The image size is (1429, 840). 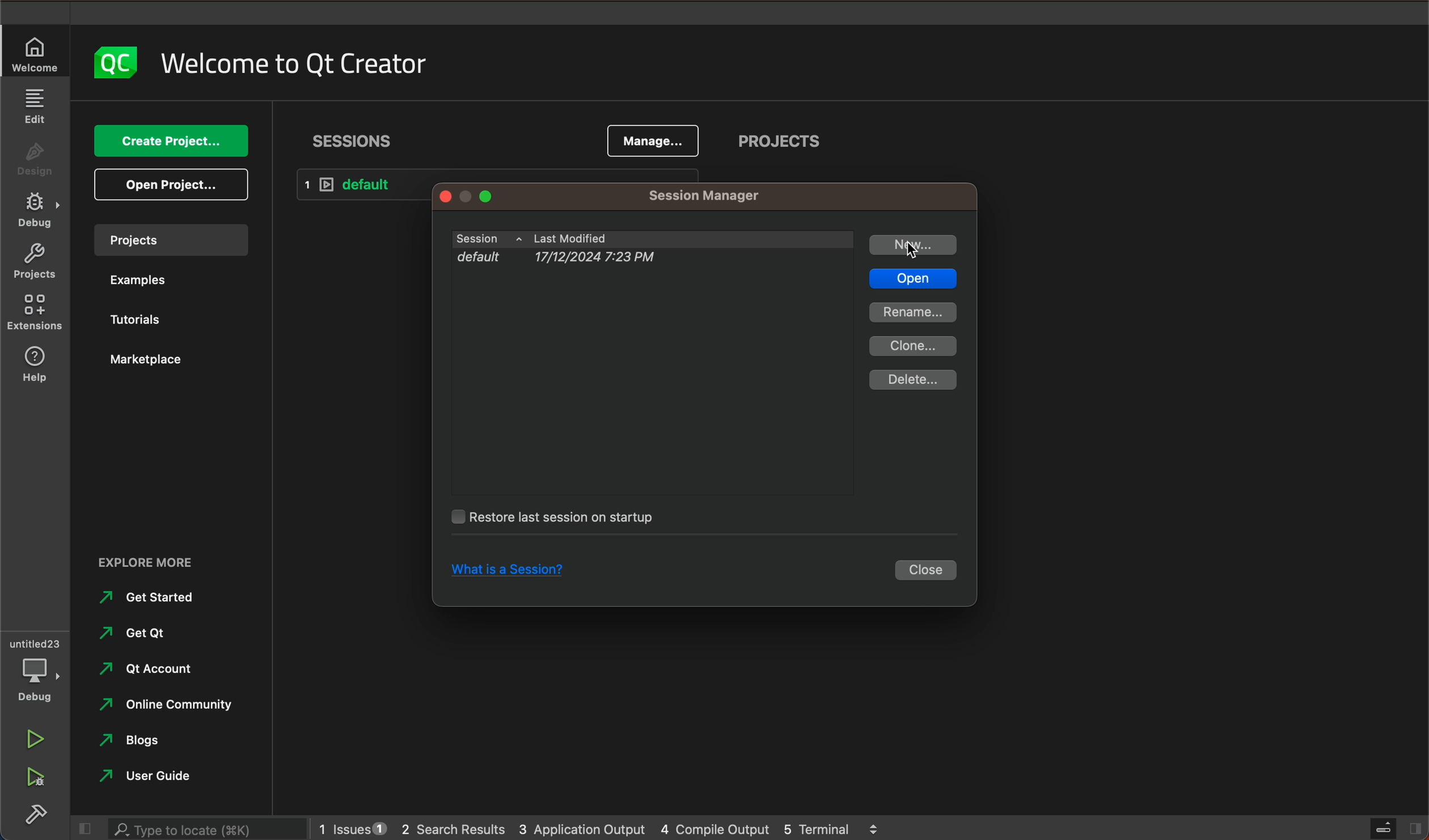 I want to click on get qt, so click(x=136, y=633).